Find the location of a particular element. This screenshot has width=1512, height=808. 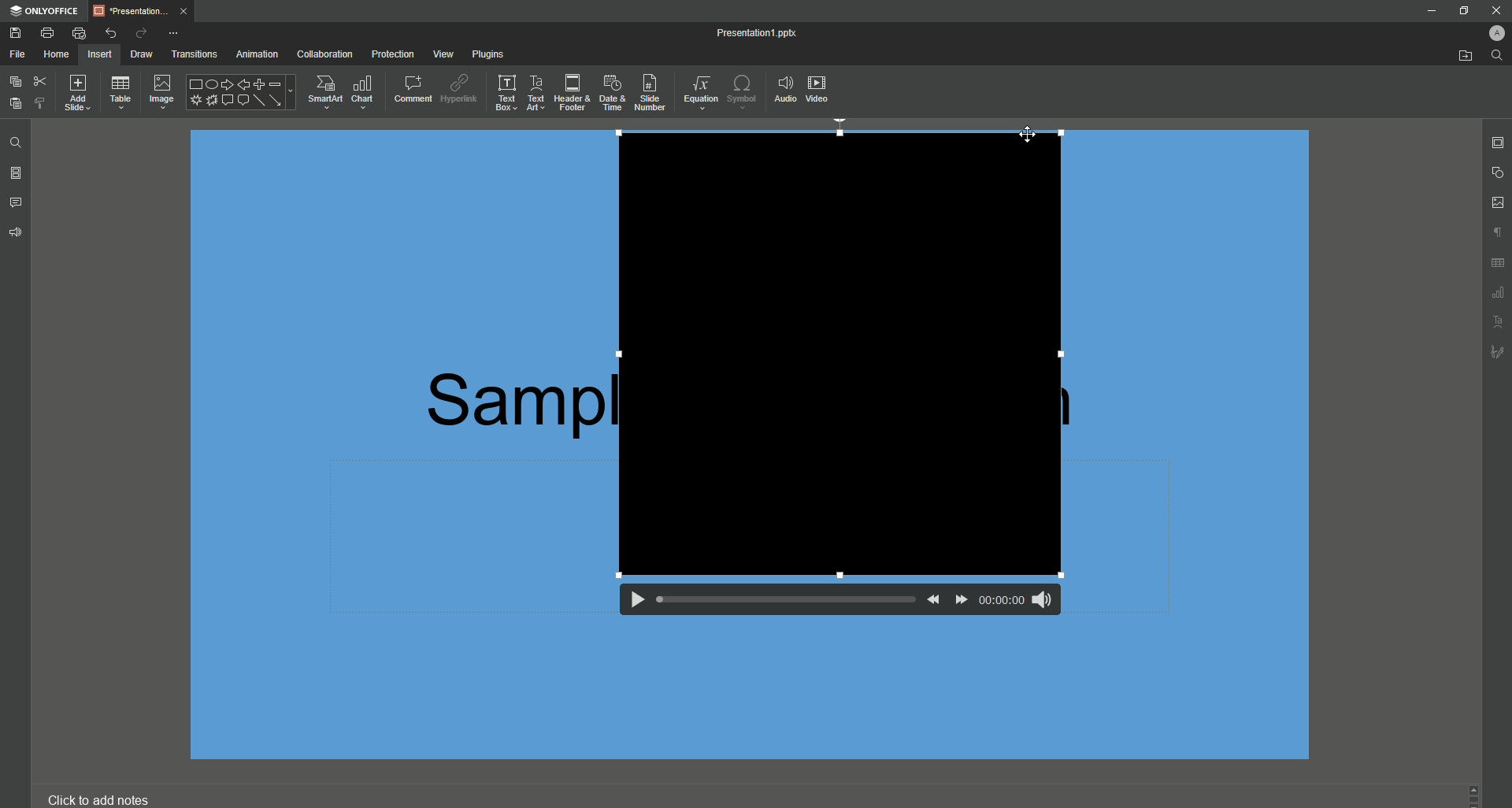

Choose Styling is located at coordinates (42, 102).